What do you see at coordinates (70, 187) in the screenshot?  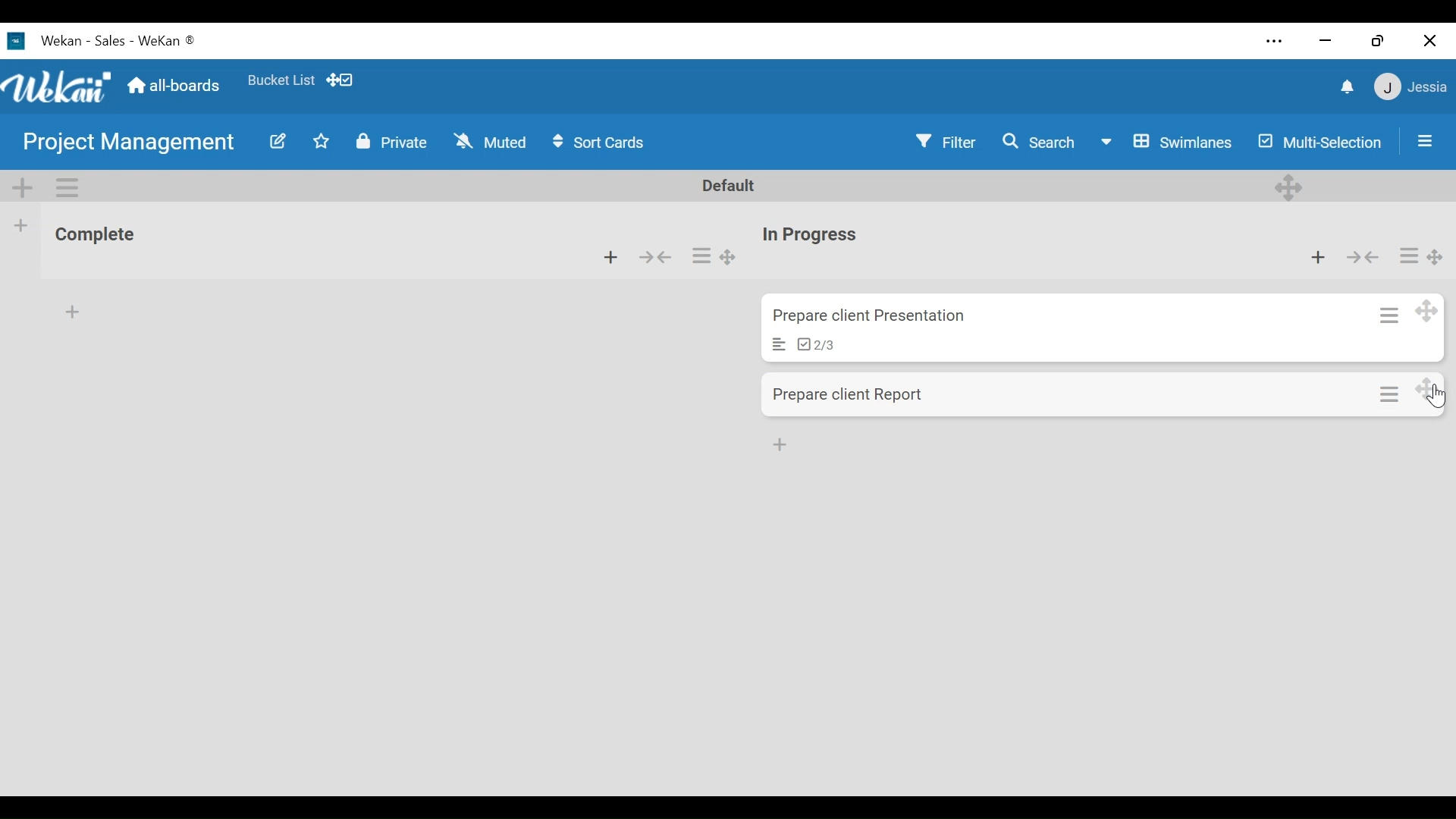 I see `Swimlane actions` at bounding box center [70, 187].